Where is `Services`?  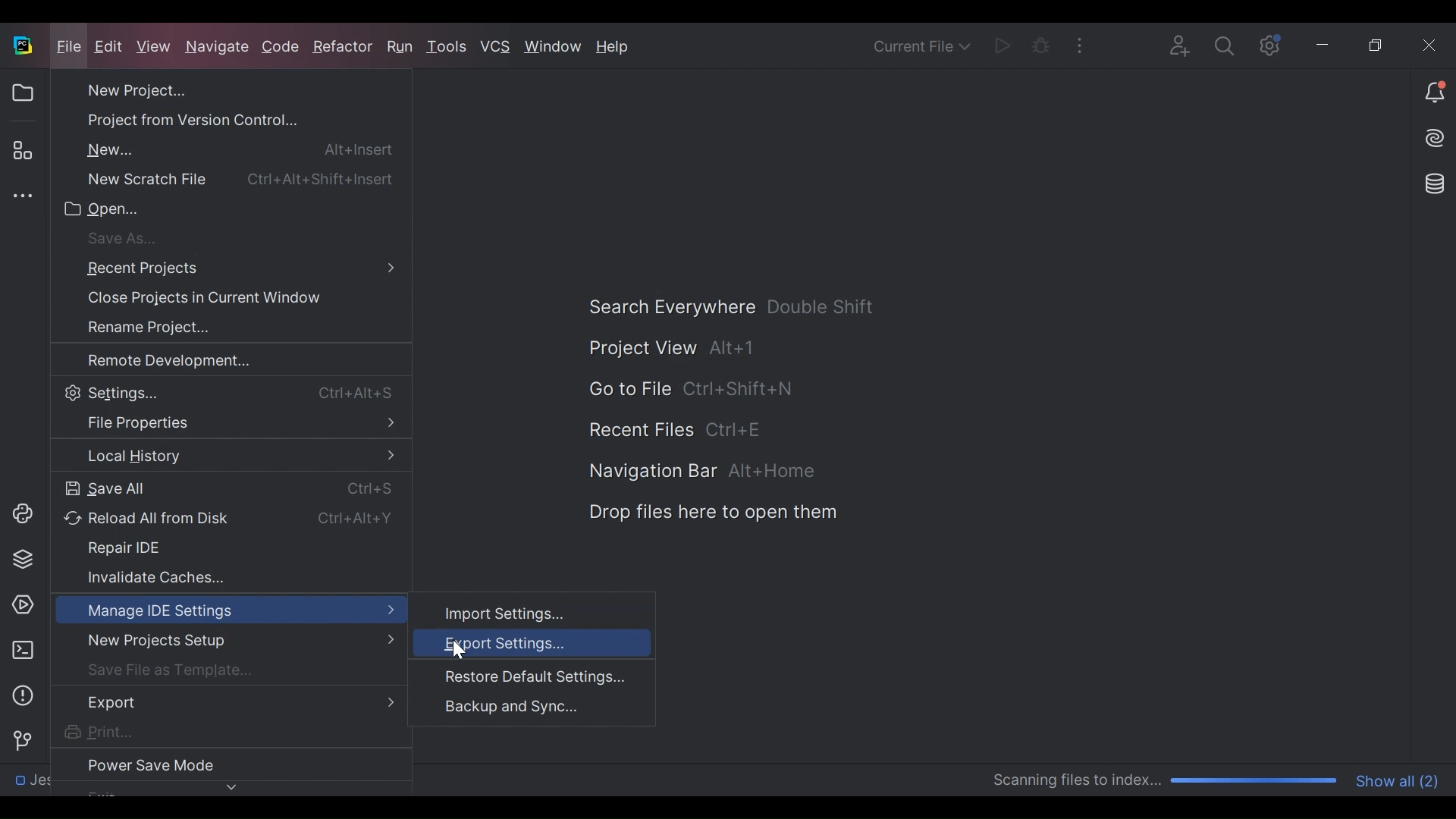
Services is located at coordinates (18, 605).